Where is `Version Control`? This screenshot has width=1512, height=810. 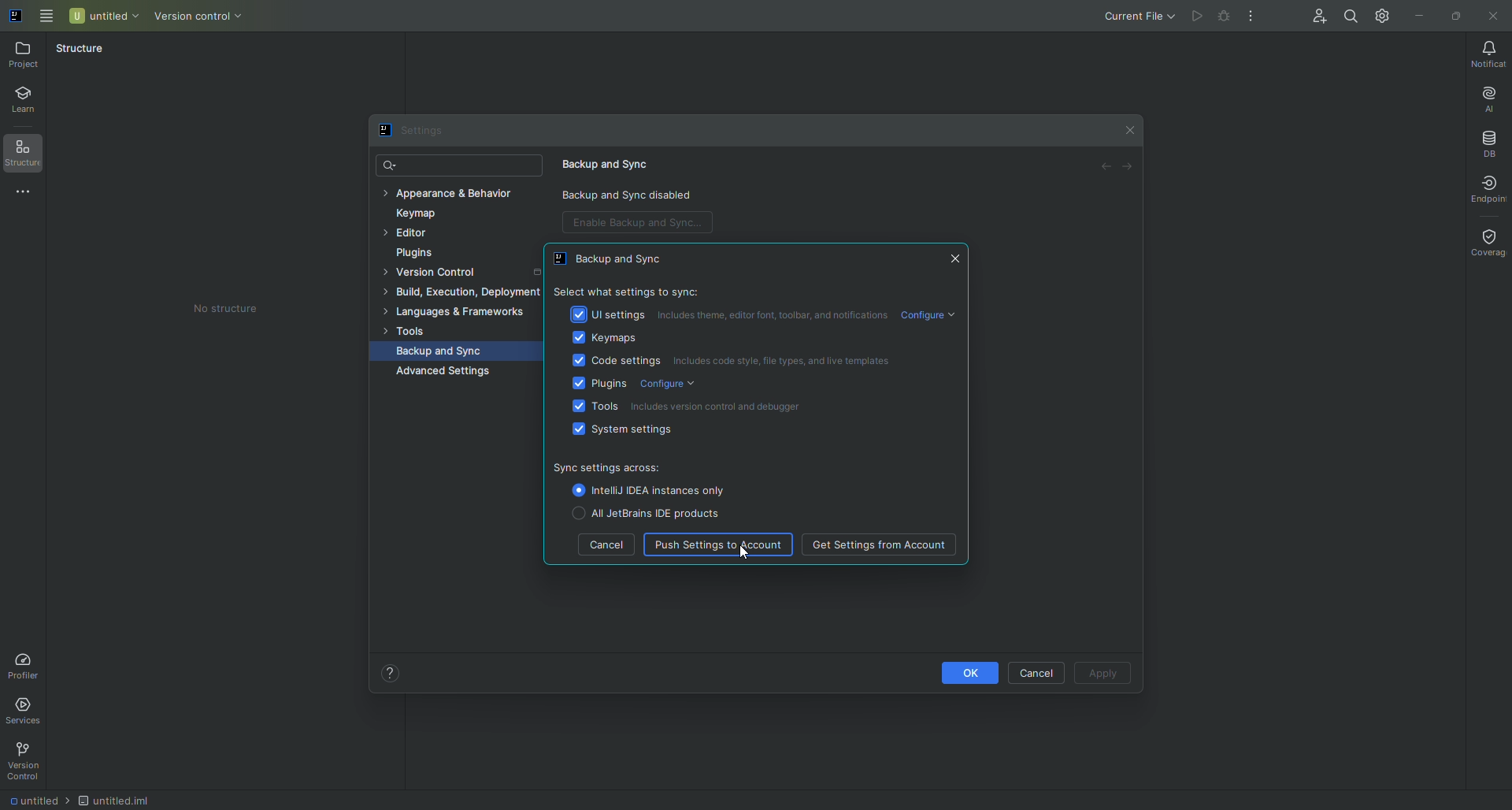 Version Control is located at coordinates (449, 273).